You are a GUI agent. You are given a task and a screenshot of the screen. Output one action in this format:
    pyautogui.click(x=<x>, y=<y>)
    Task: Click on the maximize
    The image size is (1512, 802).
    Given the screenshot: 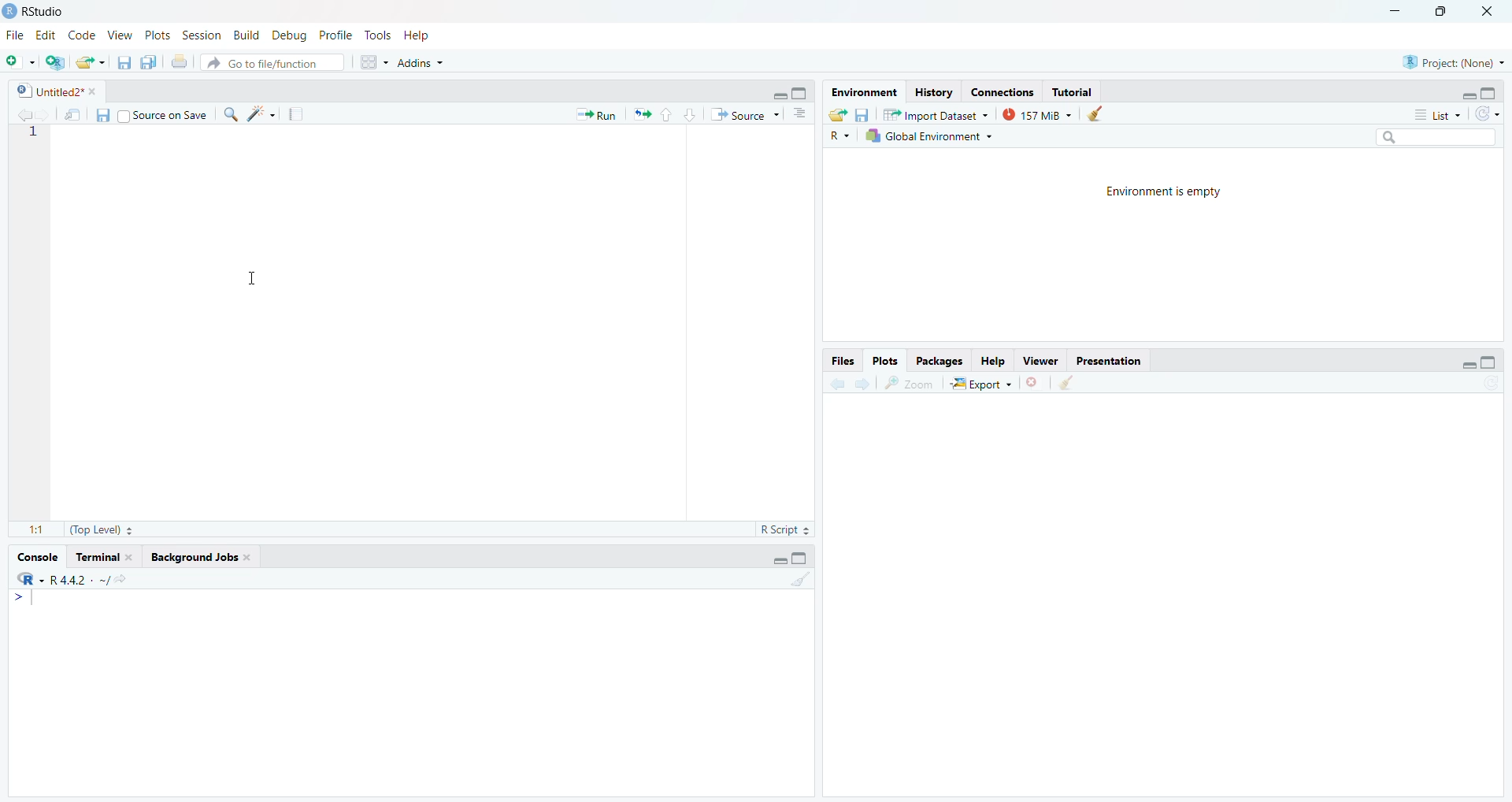 What is the action you would take?
    pyautogui.click(x=799, y=555)
    